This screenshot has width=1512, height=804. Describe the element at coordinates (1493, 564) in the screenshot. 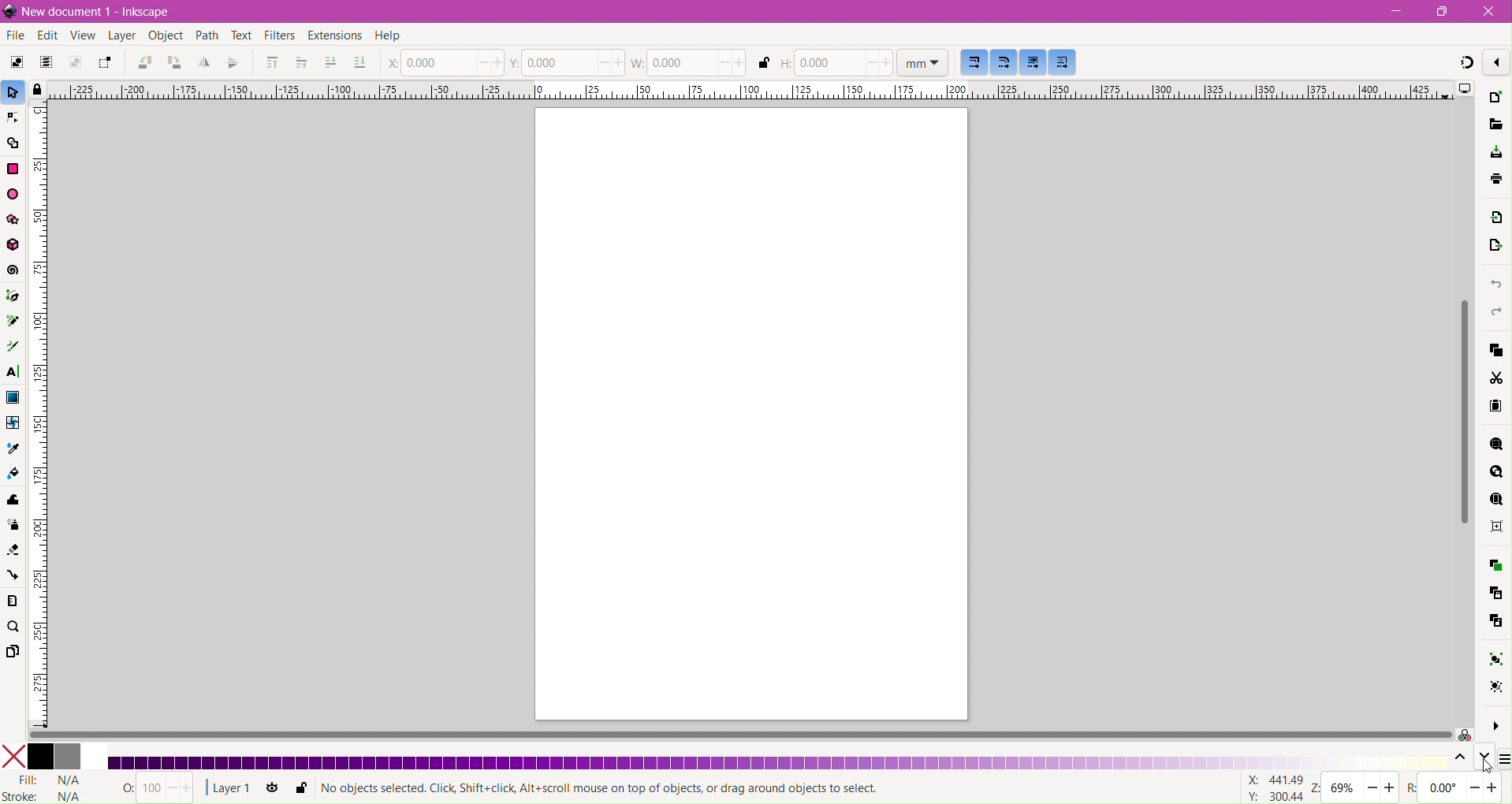

I see `Duplicate` at that location.